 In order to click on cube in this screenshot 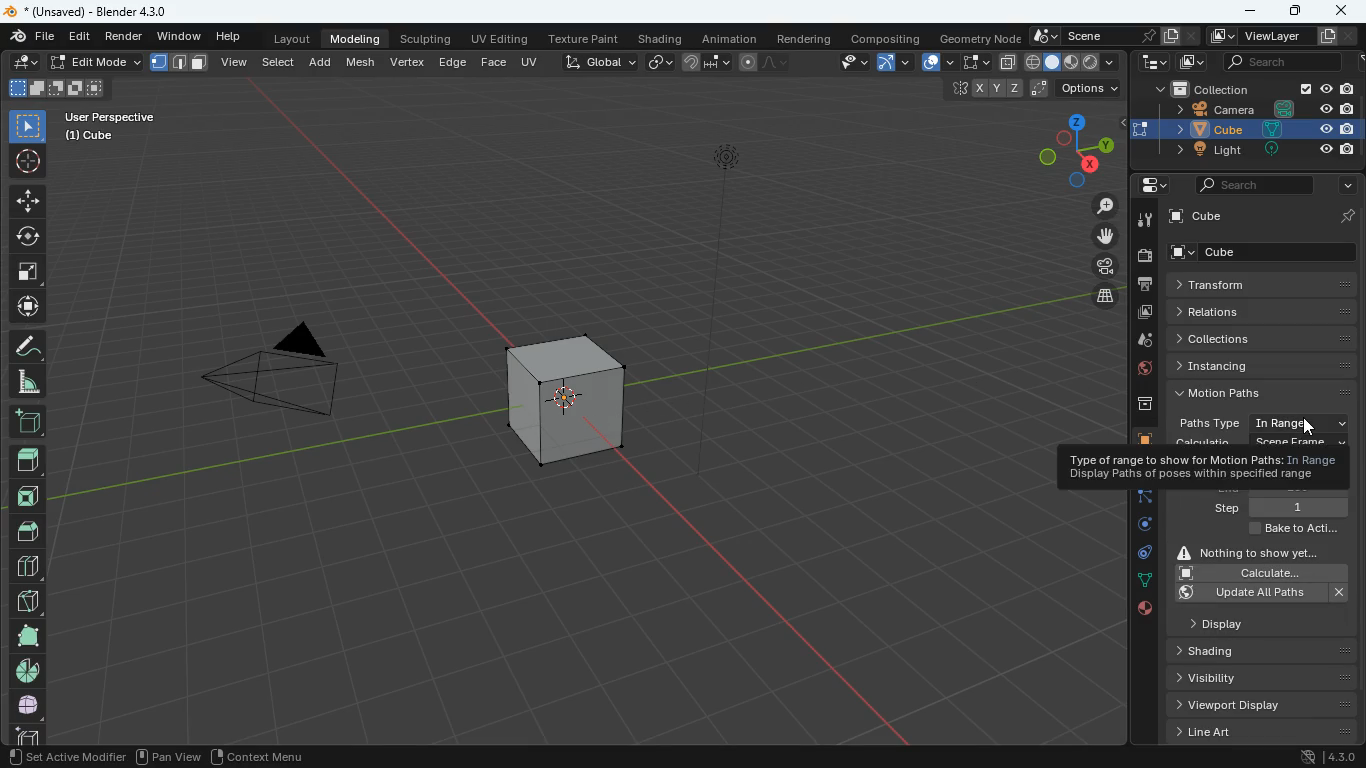, I will do `click(563, 393)`.